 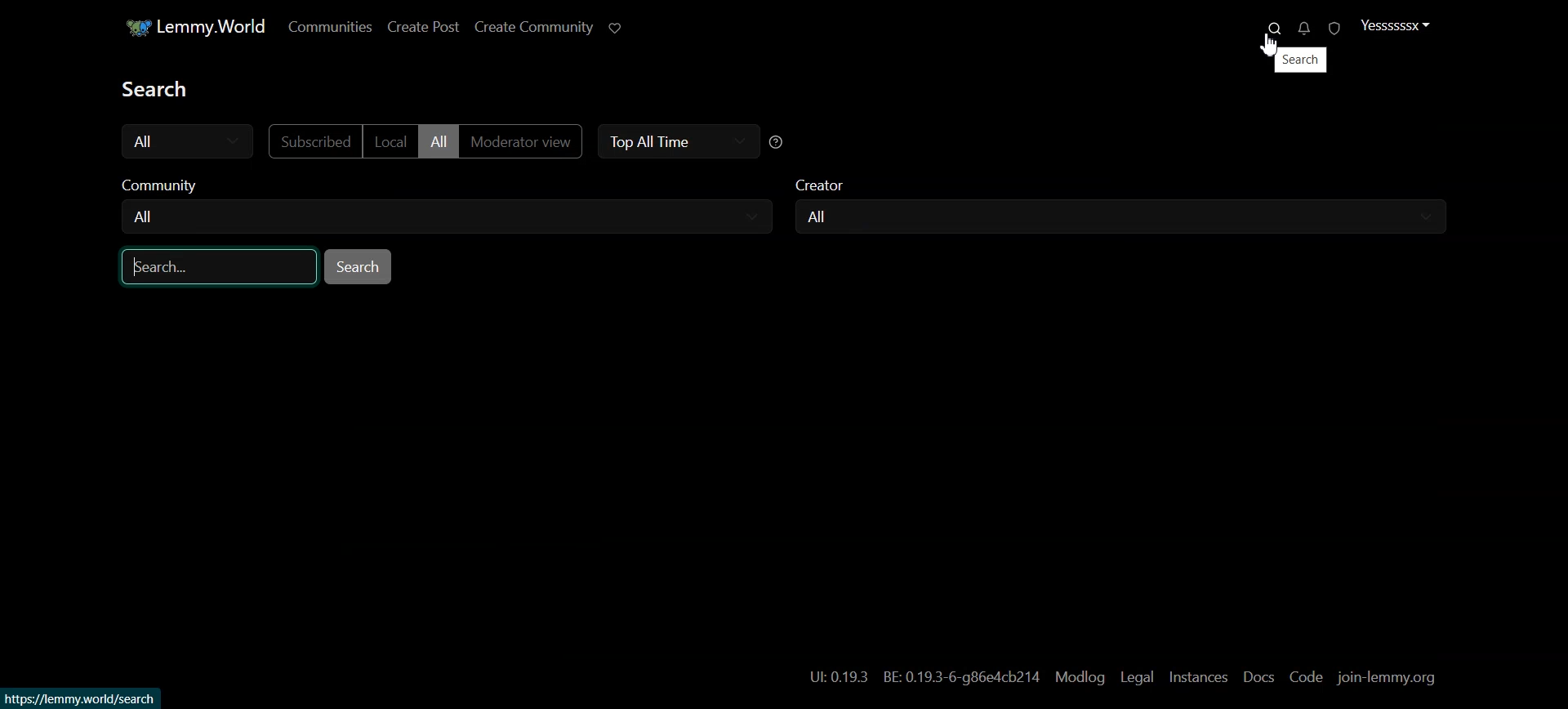 What do you see at coordinates (1302, 62) in the screenshot?
I see `search` at bounding box center [1302, 62].